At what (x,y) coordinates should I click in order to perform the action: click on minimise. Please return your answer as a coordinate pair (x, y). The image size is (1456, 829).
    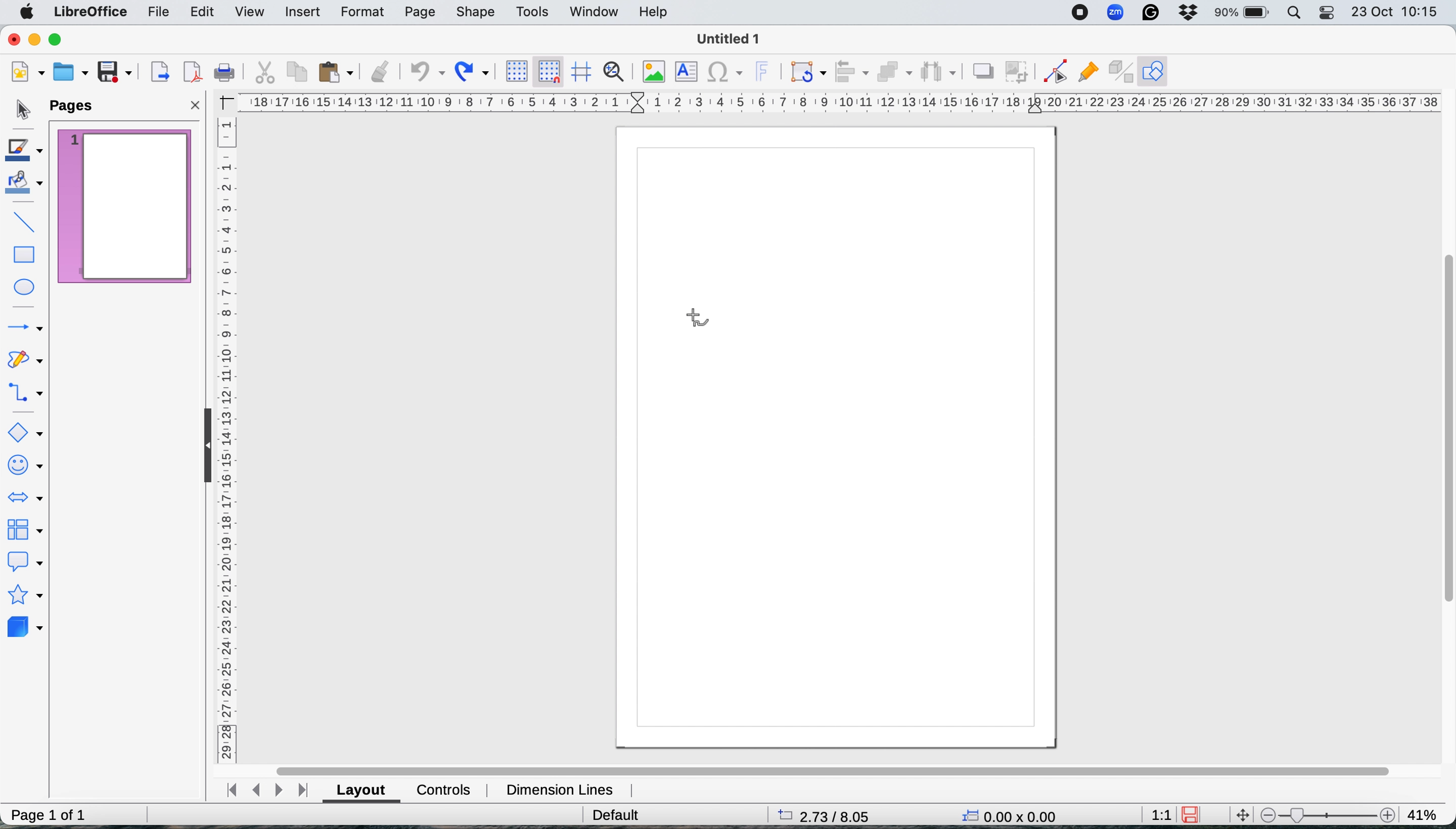
    Looking at the image, I should click on (34, 40).